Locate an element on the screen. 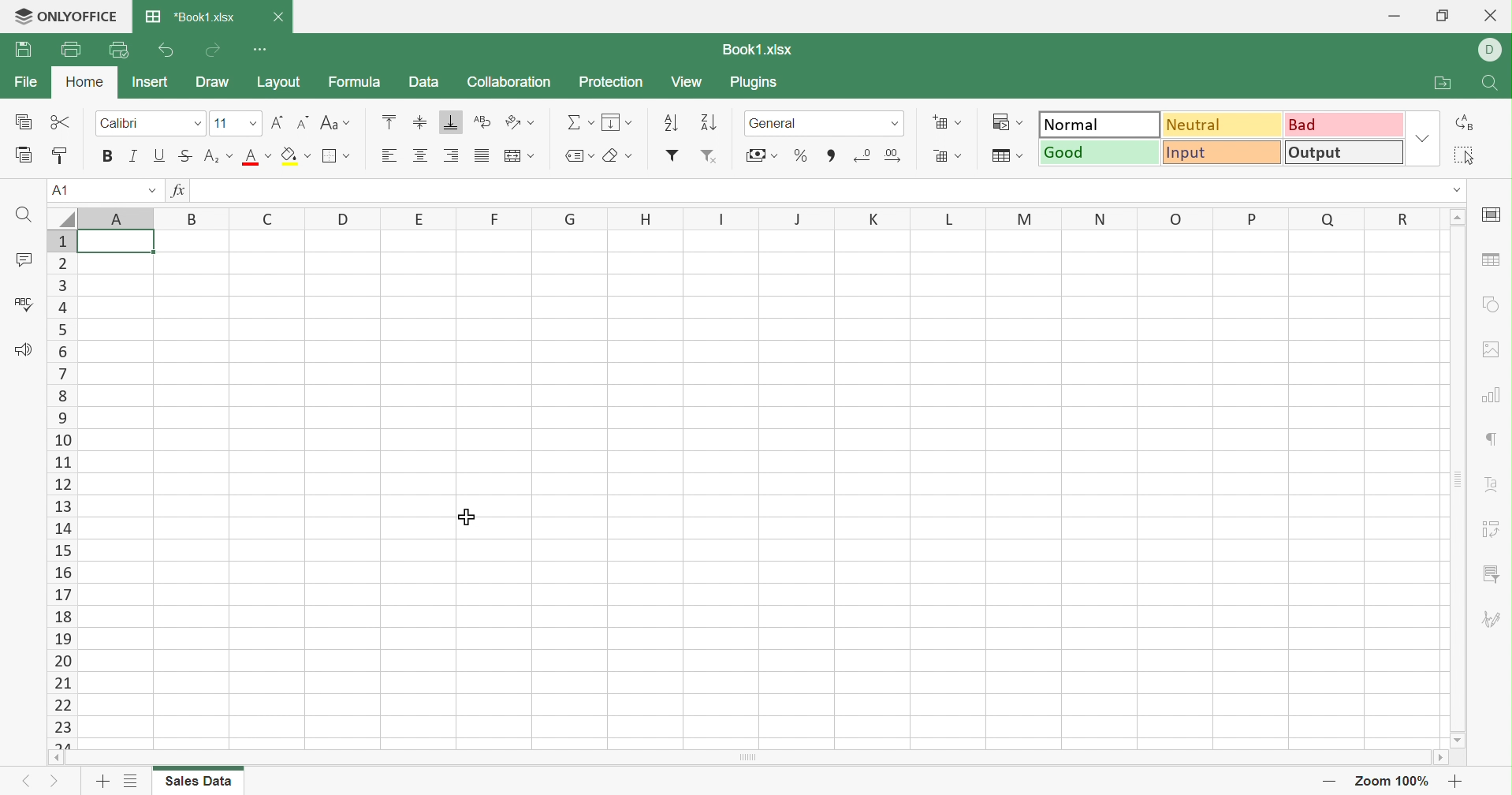  Font color is located at coordinates (256, 155).